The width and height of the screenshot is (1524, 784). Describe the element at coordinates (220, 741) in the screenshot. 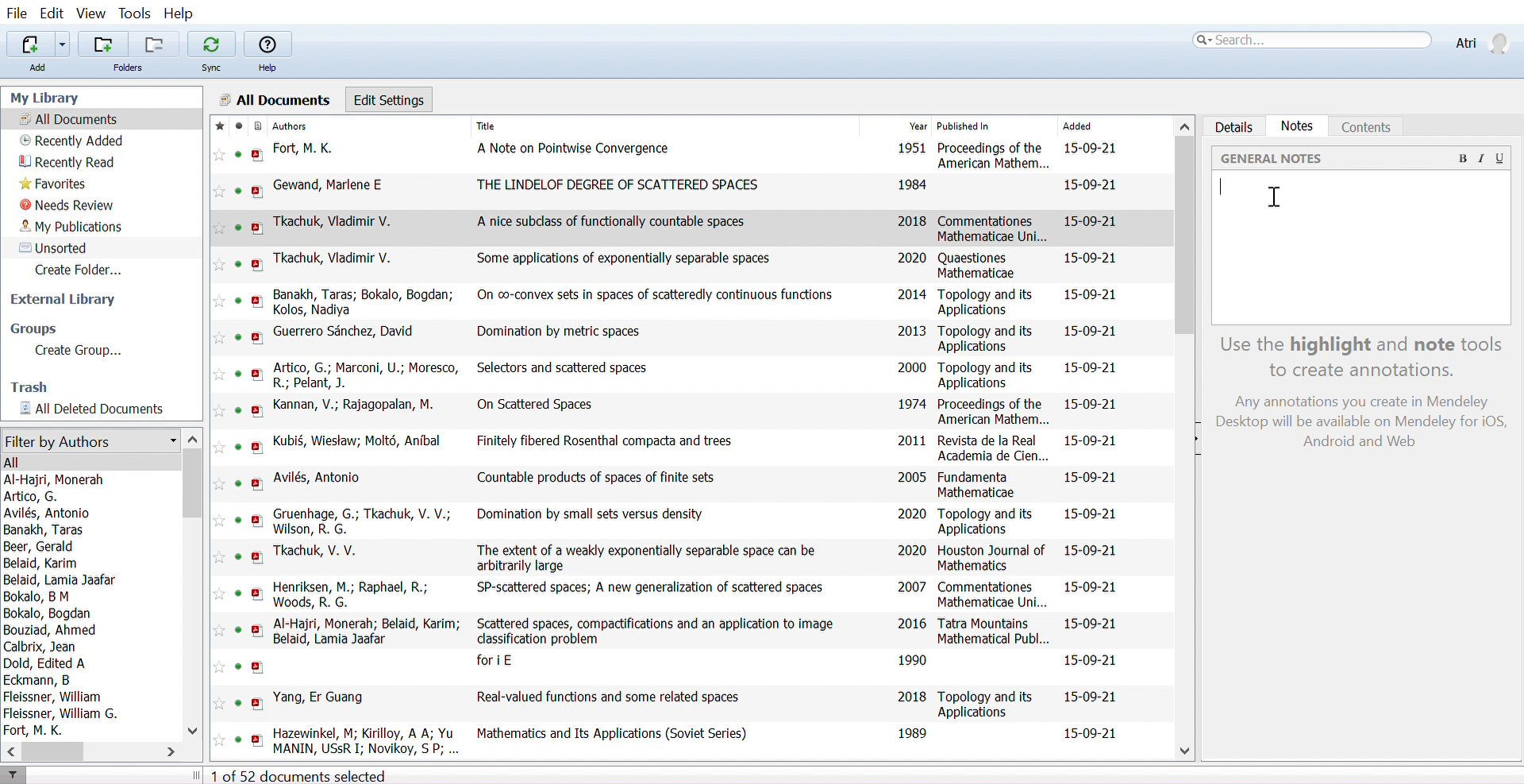

I see `Add this reference to favorites` at that location.